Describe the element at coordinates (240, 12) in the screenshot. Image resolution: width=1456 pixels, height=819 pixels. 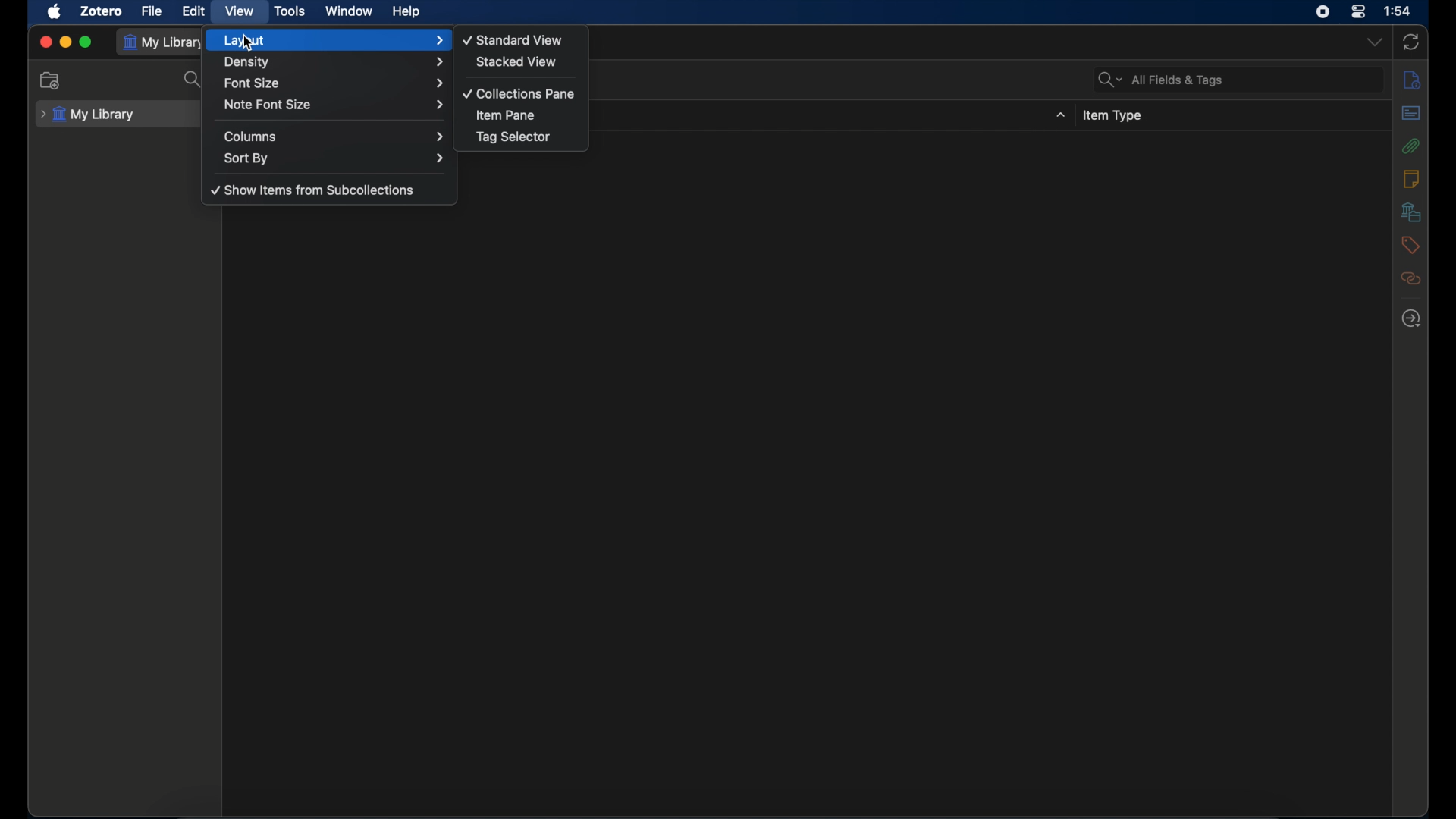
I see `view` at that location.